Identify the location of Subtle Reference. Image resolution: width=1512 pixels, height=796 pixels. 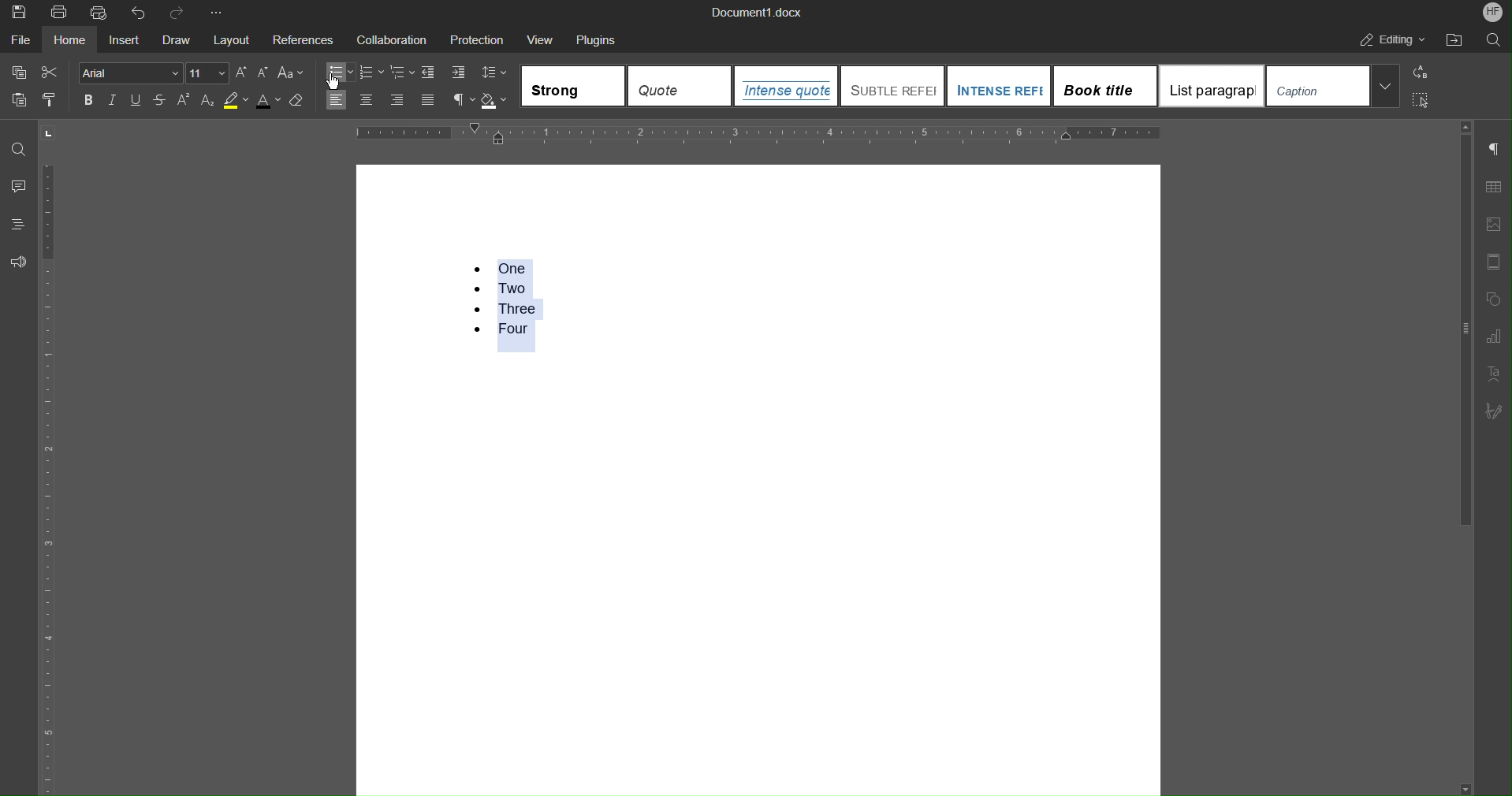
(892, 85).